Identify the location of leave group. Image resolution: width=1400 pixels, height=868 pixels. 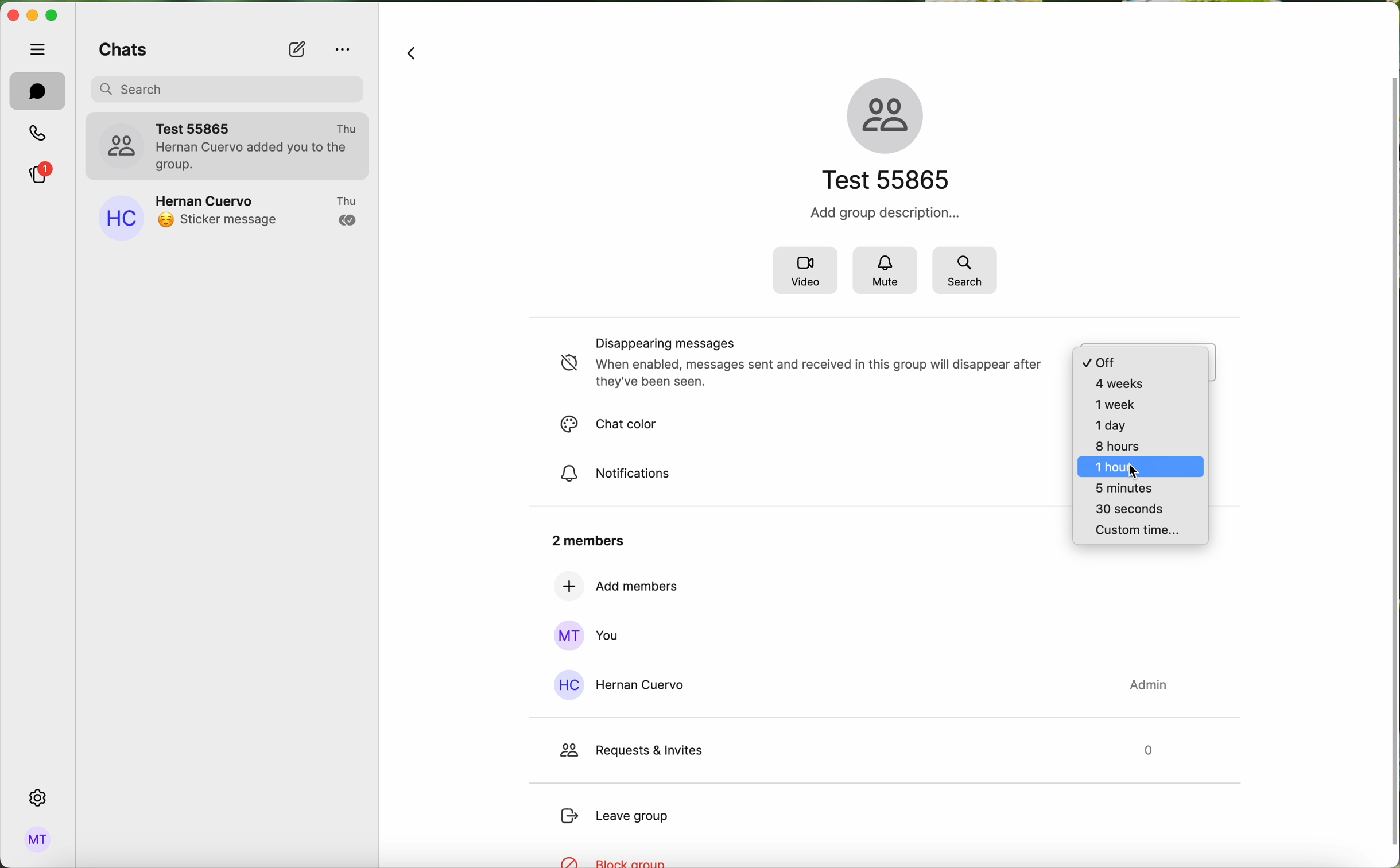
(614, 815).